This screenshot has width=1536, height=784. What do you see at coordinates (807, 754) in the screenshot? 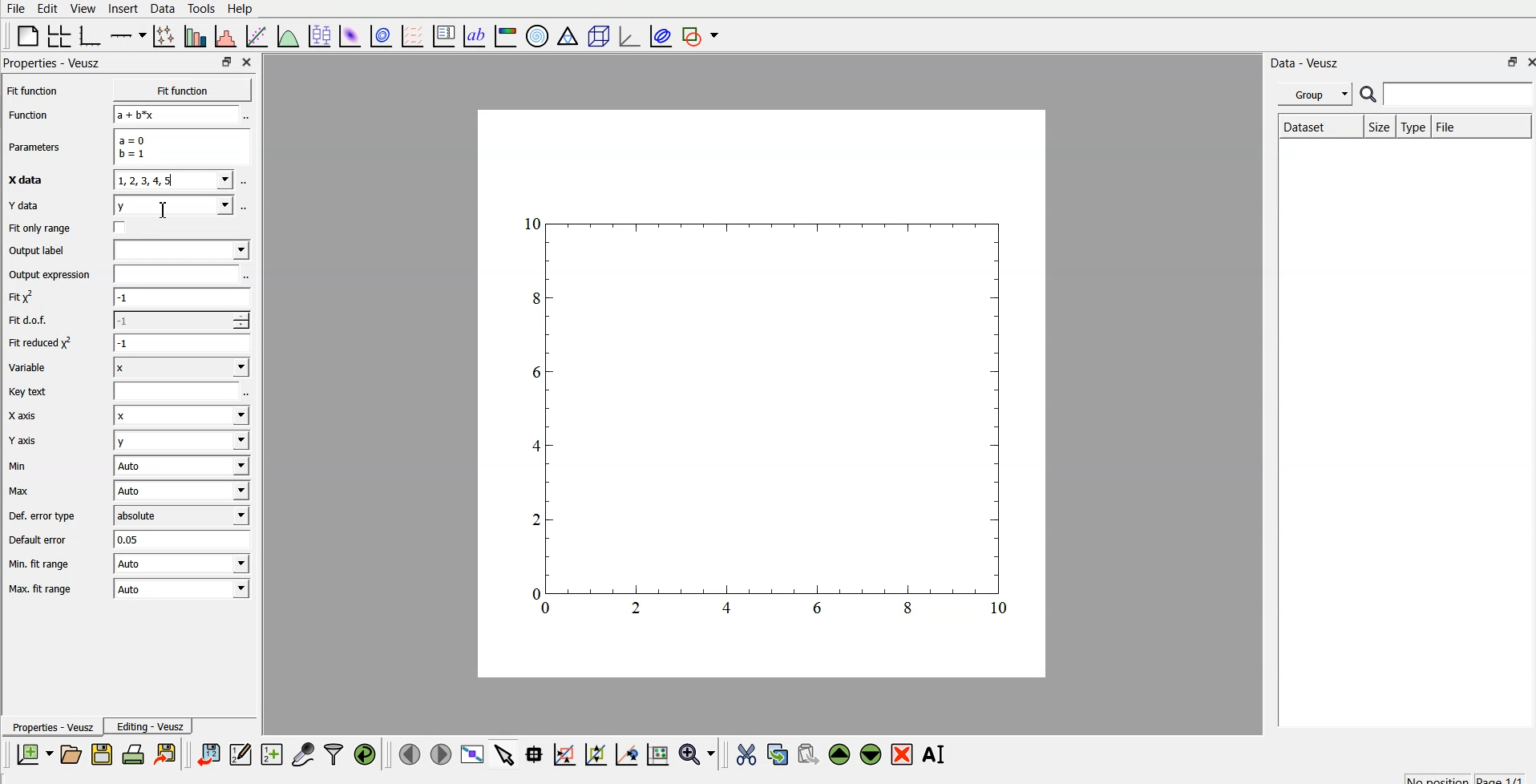
I see `paste the selected widget` at bounding box center [807, 754].